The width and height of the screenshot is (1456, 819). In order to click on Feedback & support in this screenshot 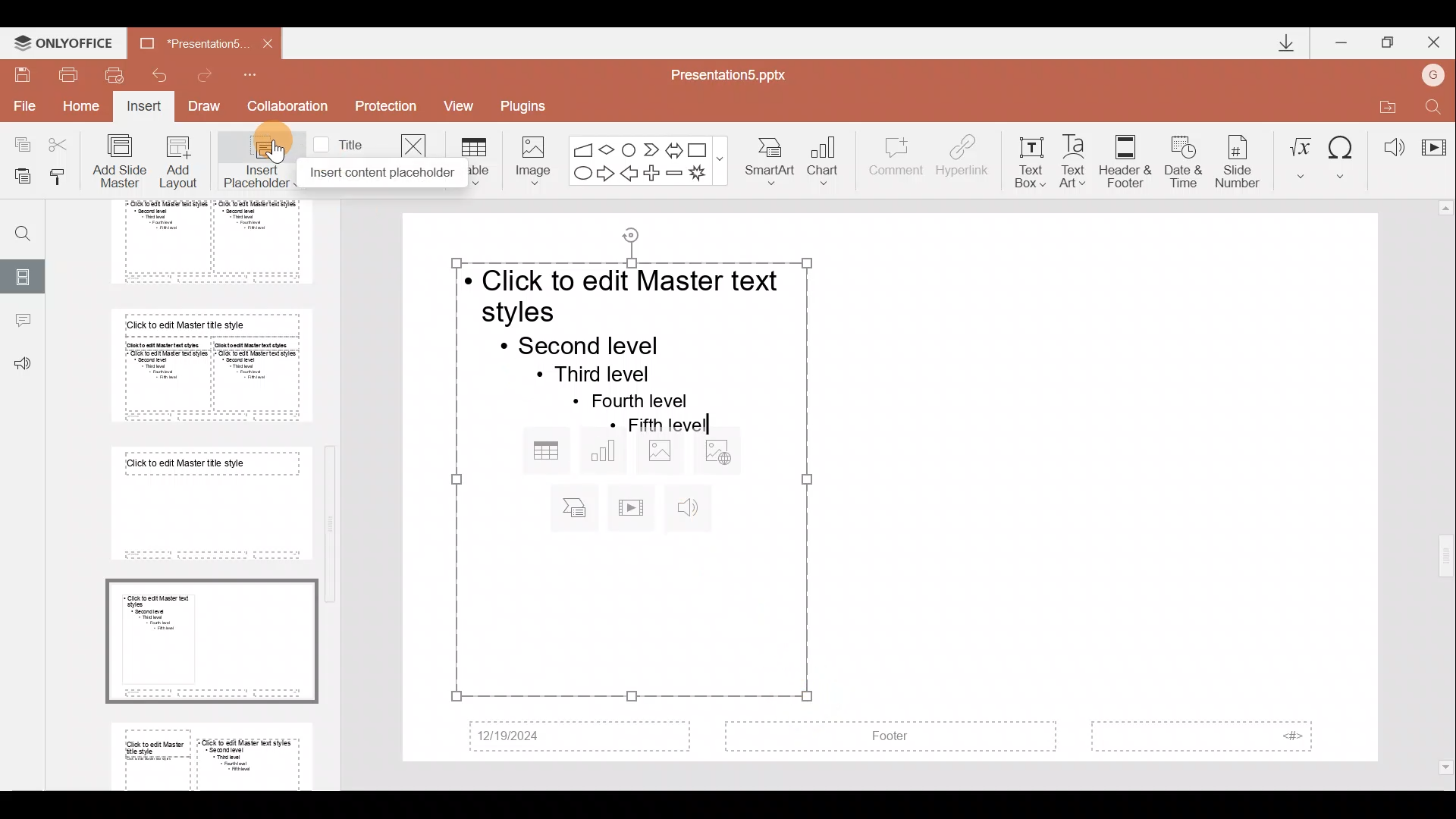, I will do `click(23, 365)`.